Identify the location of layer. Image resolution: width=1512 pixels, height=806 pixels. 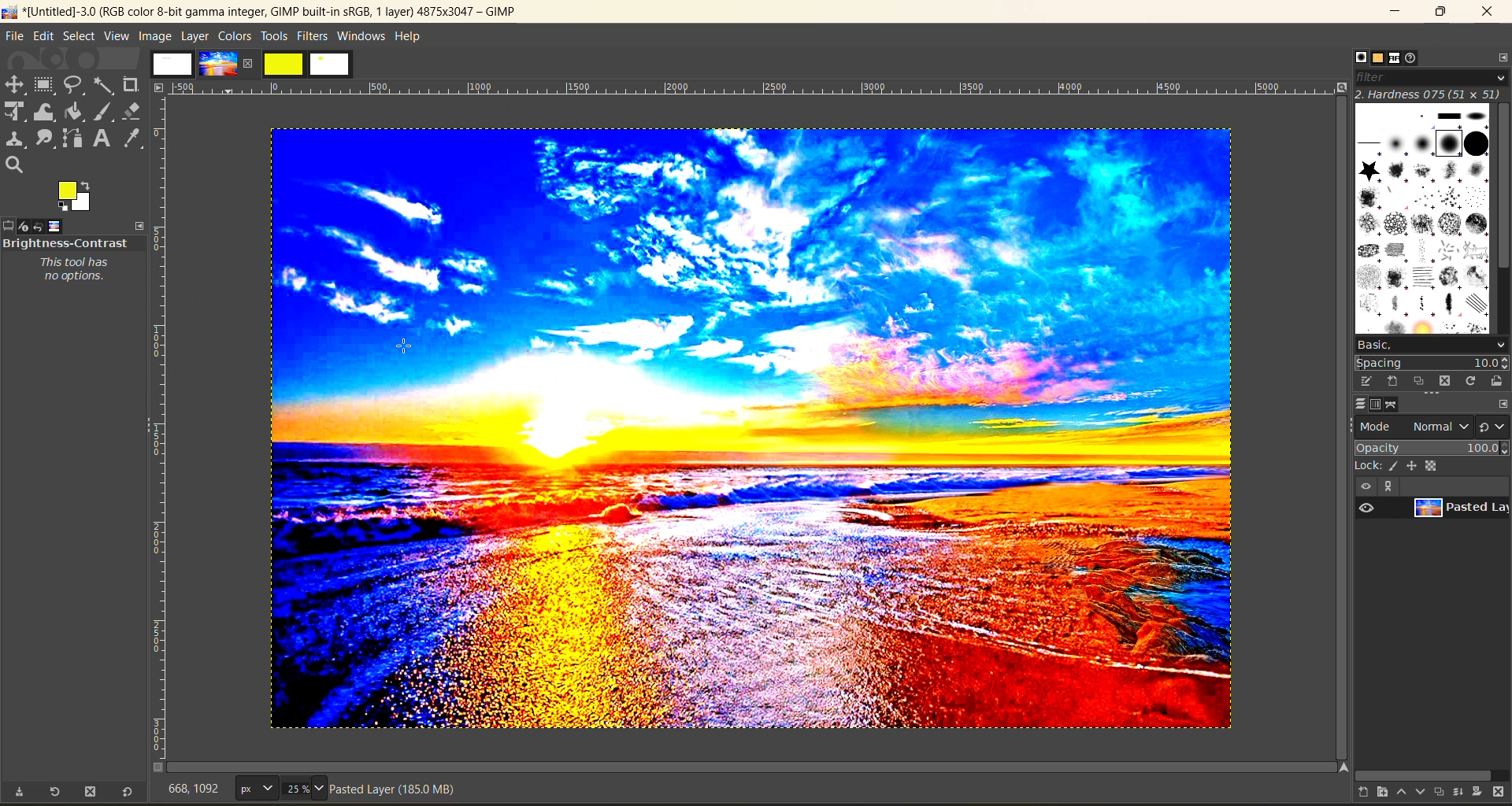
(1460, 508).